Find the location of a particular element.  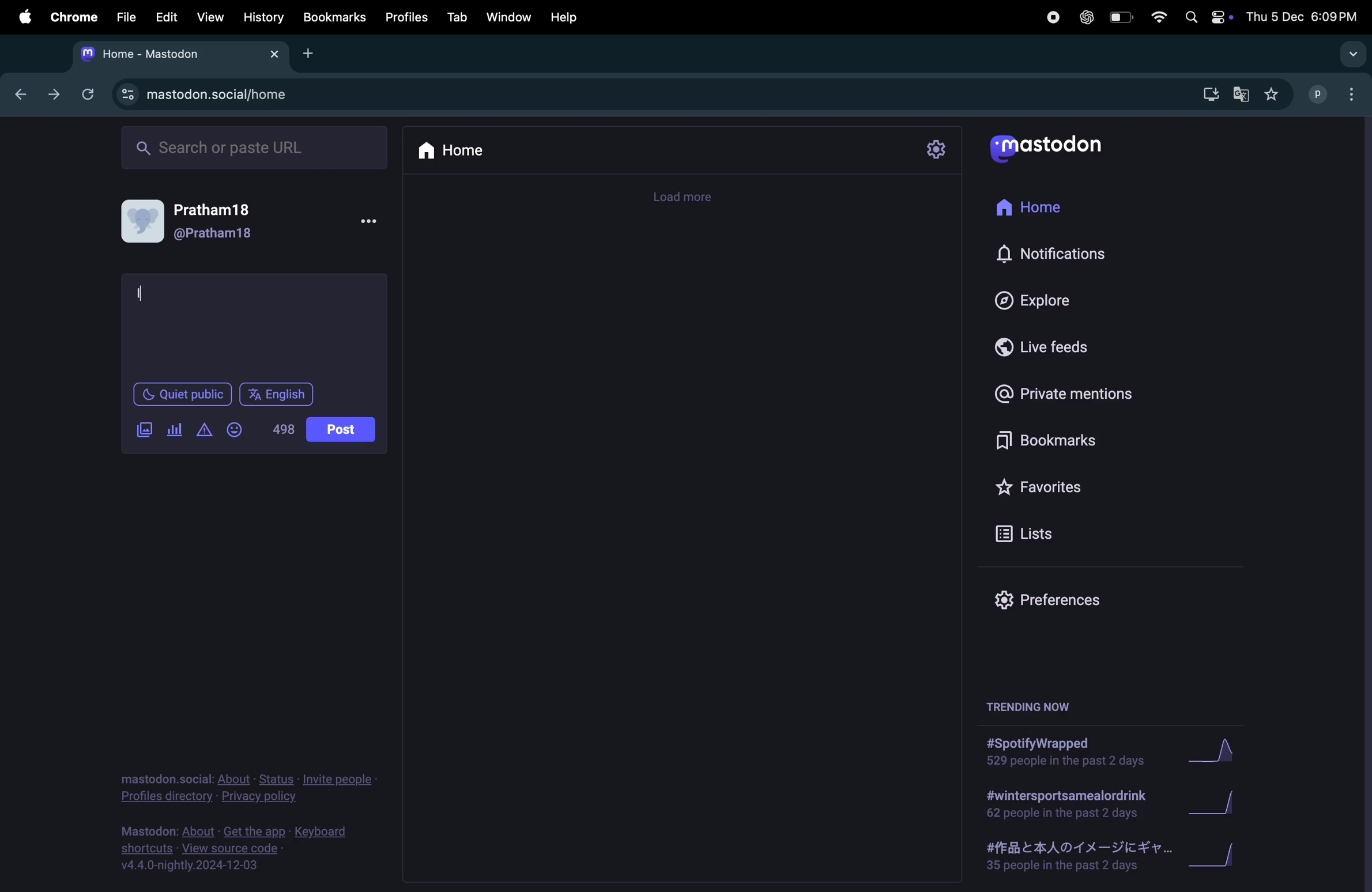

poll is located at coordinates (174, 432).